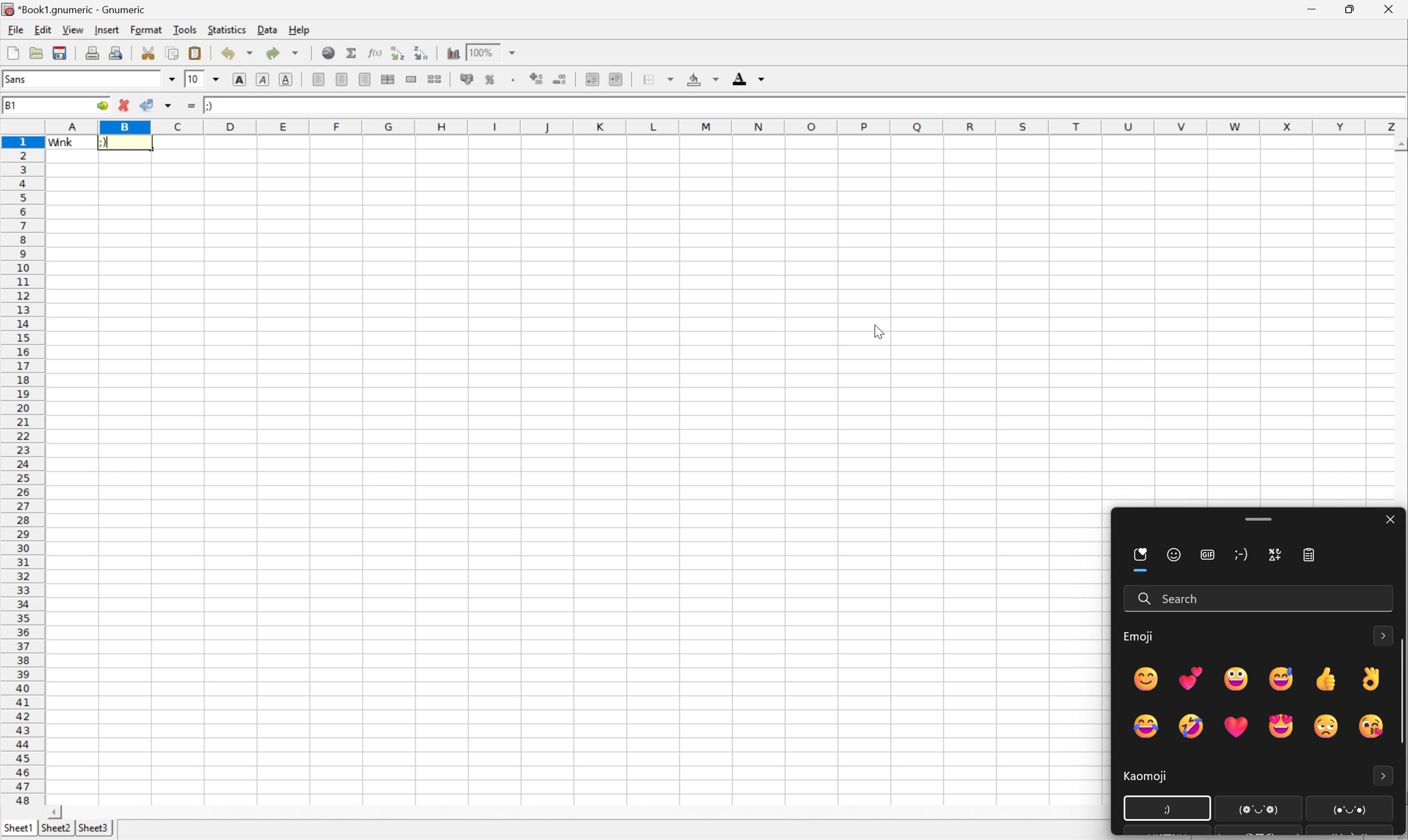 The width and height of the screenshot is (1408, 840). I want to click on emoji, so click(1174, 556).